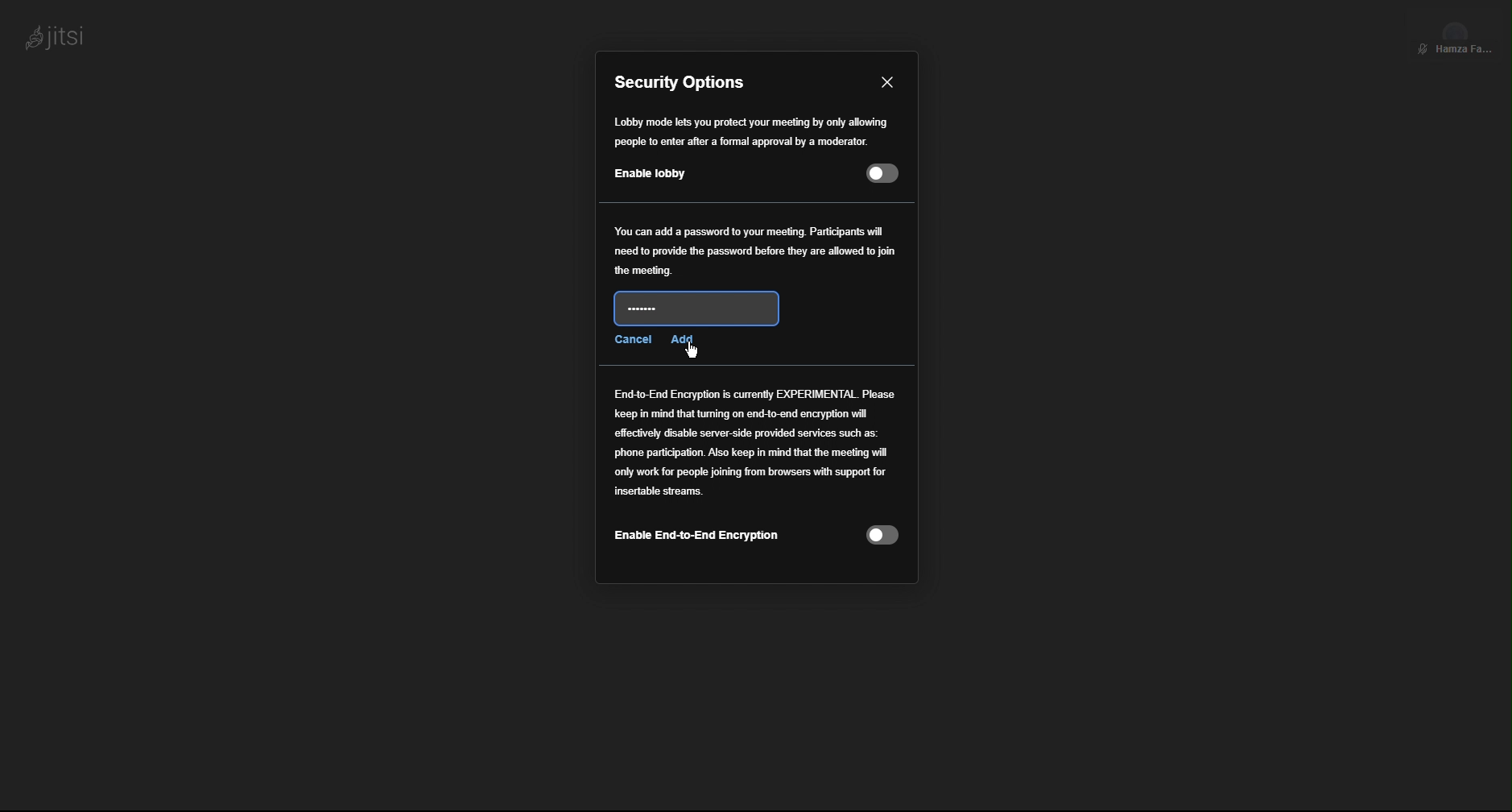 The image size is (1512, 812). I want to click on End to End Encryption, so click(754, 468).